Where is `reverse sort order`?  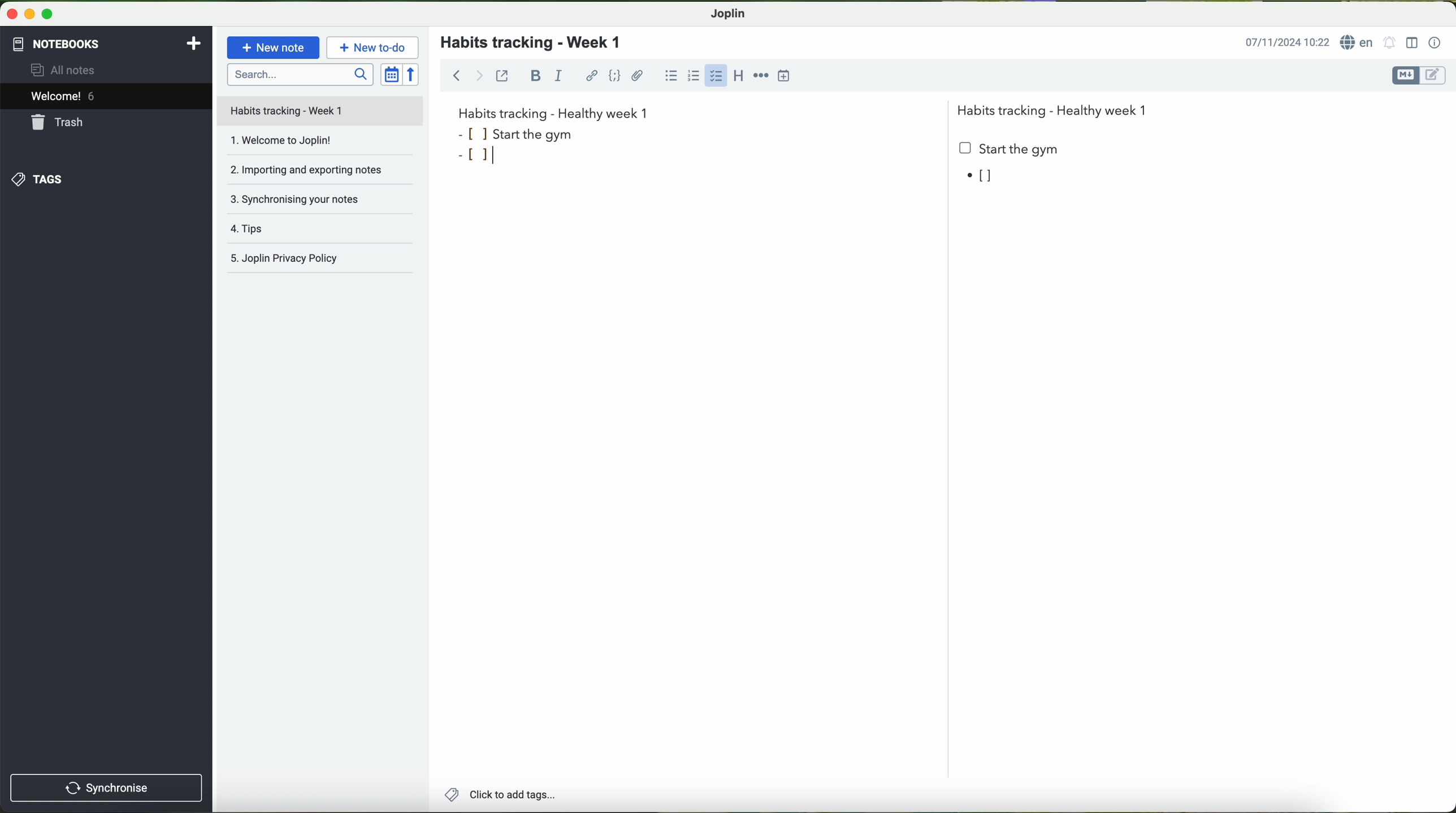 reverse sort order is located at coordinates (412, 74).